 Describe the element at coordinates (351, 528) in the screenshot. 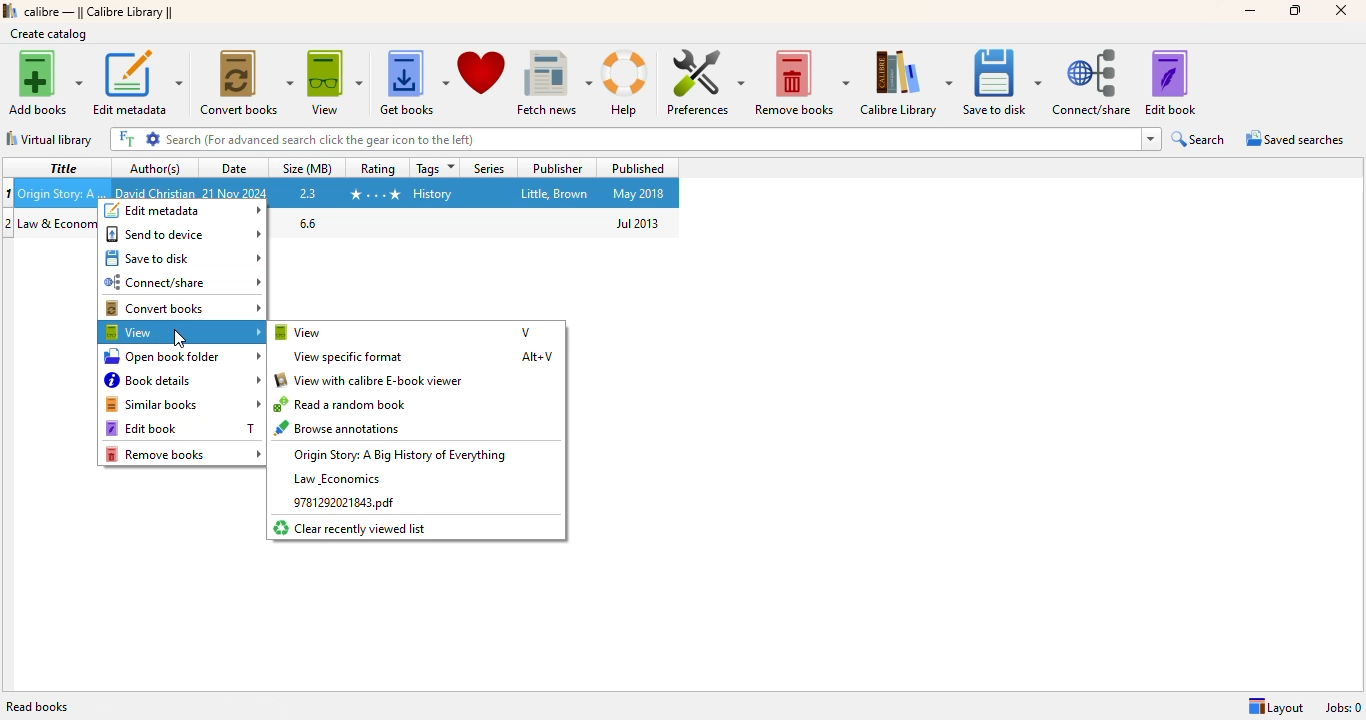

I see `clear recently viewed list` at that location.